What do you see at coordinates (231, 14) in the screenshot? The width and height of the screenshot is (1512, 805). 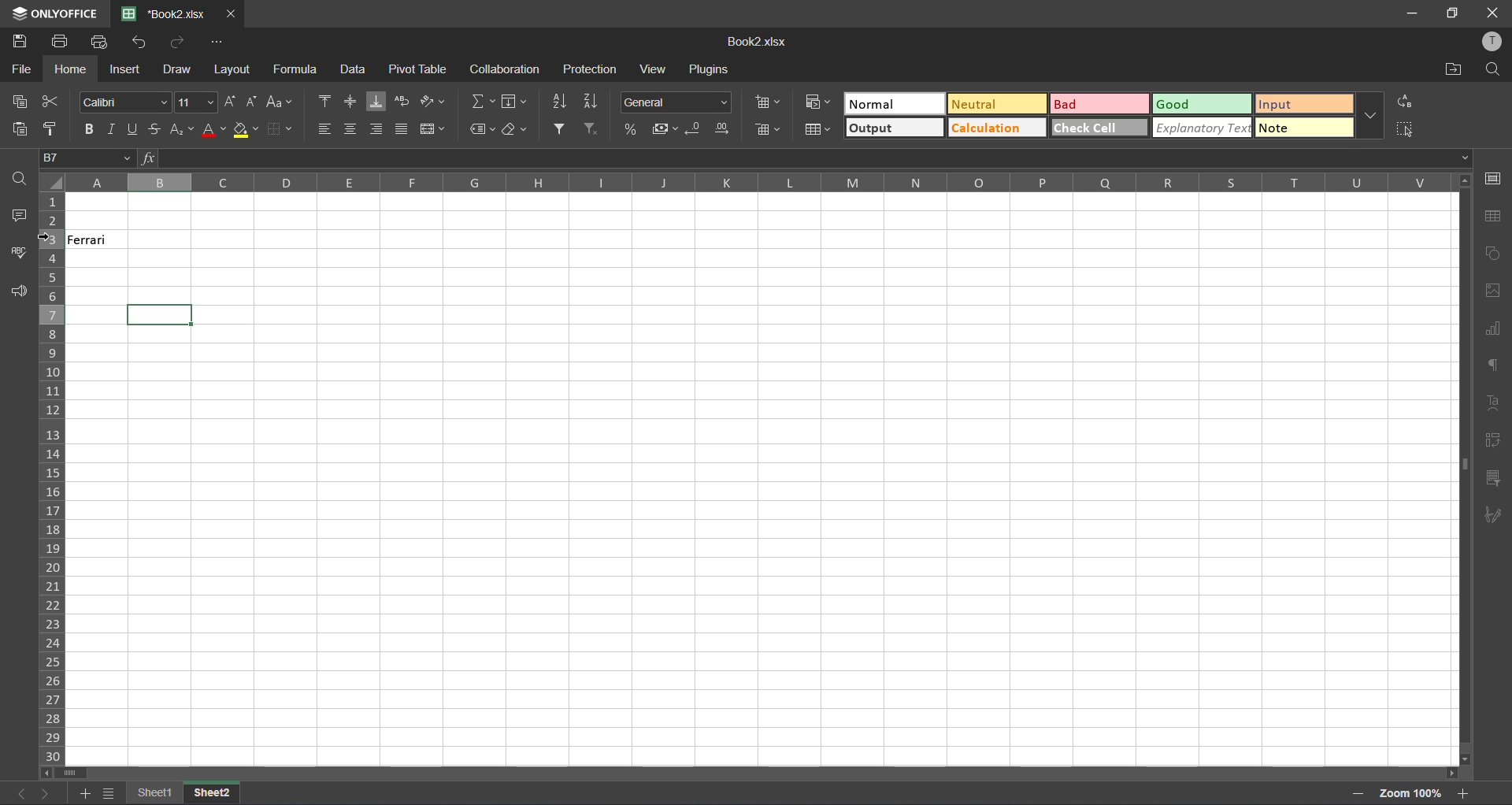 I see `close` at bounding box center [231, 14].